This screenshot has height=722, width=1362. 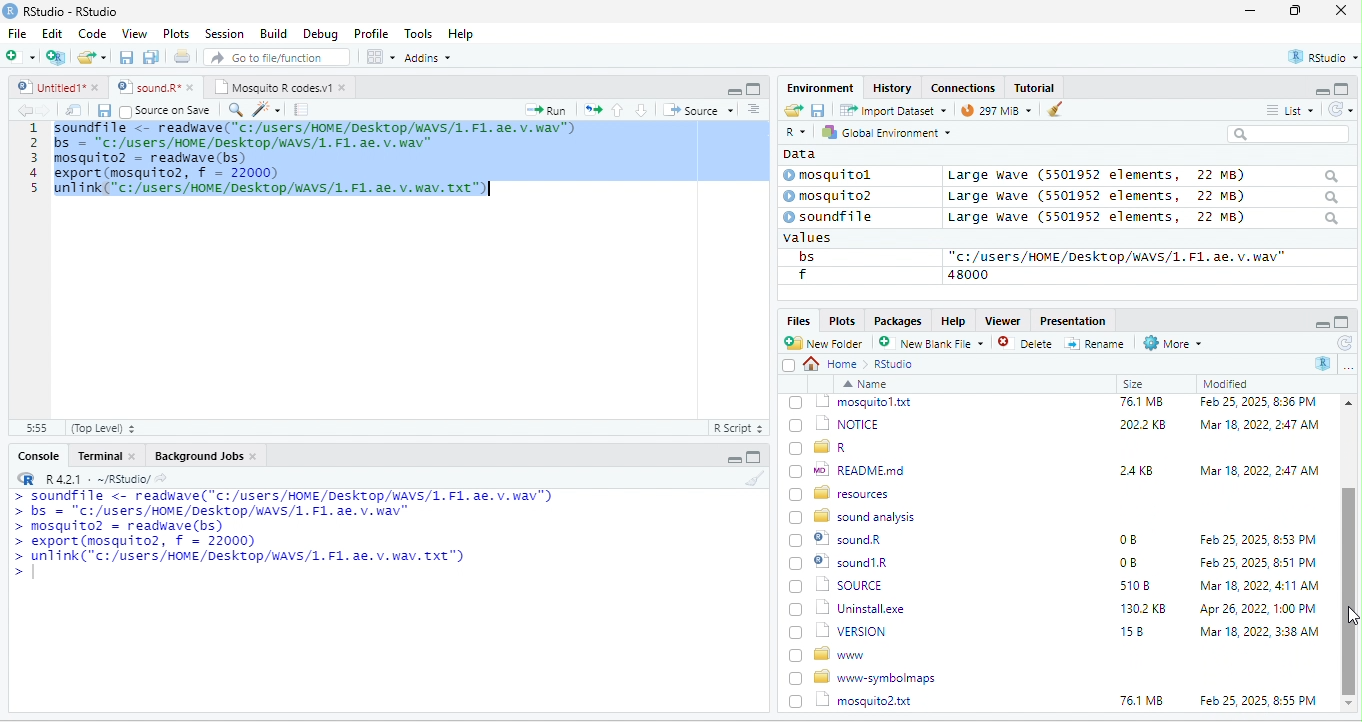 I want to click on ‘| COPYING, so click(x=839, y=473).